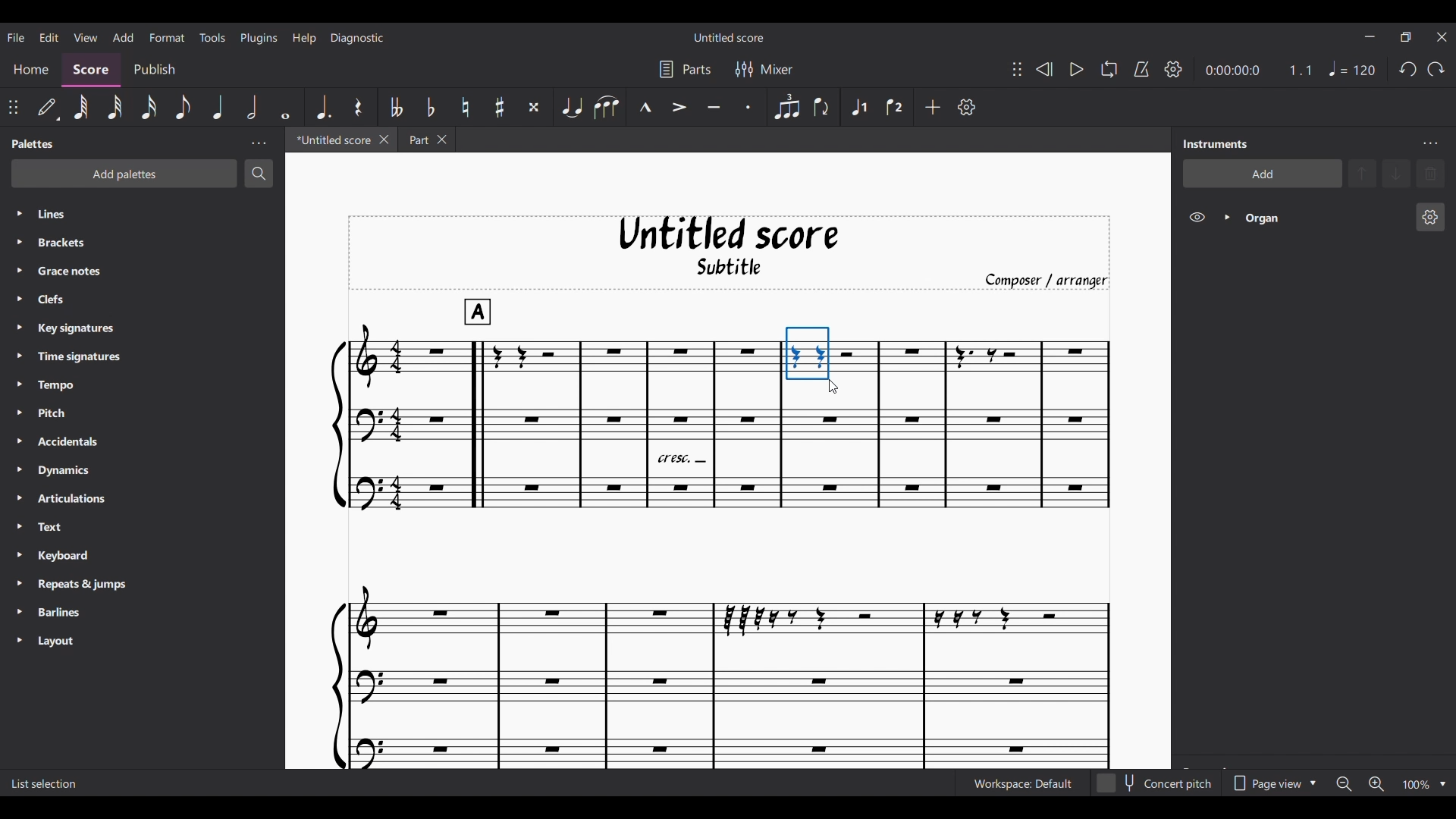 Image resolution: width=1456 pixels, height=819 pixels. Describe the element at coordinates (500, 108) in the screenshot. I see `Toggle sharp` at that location.